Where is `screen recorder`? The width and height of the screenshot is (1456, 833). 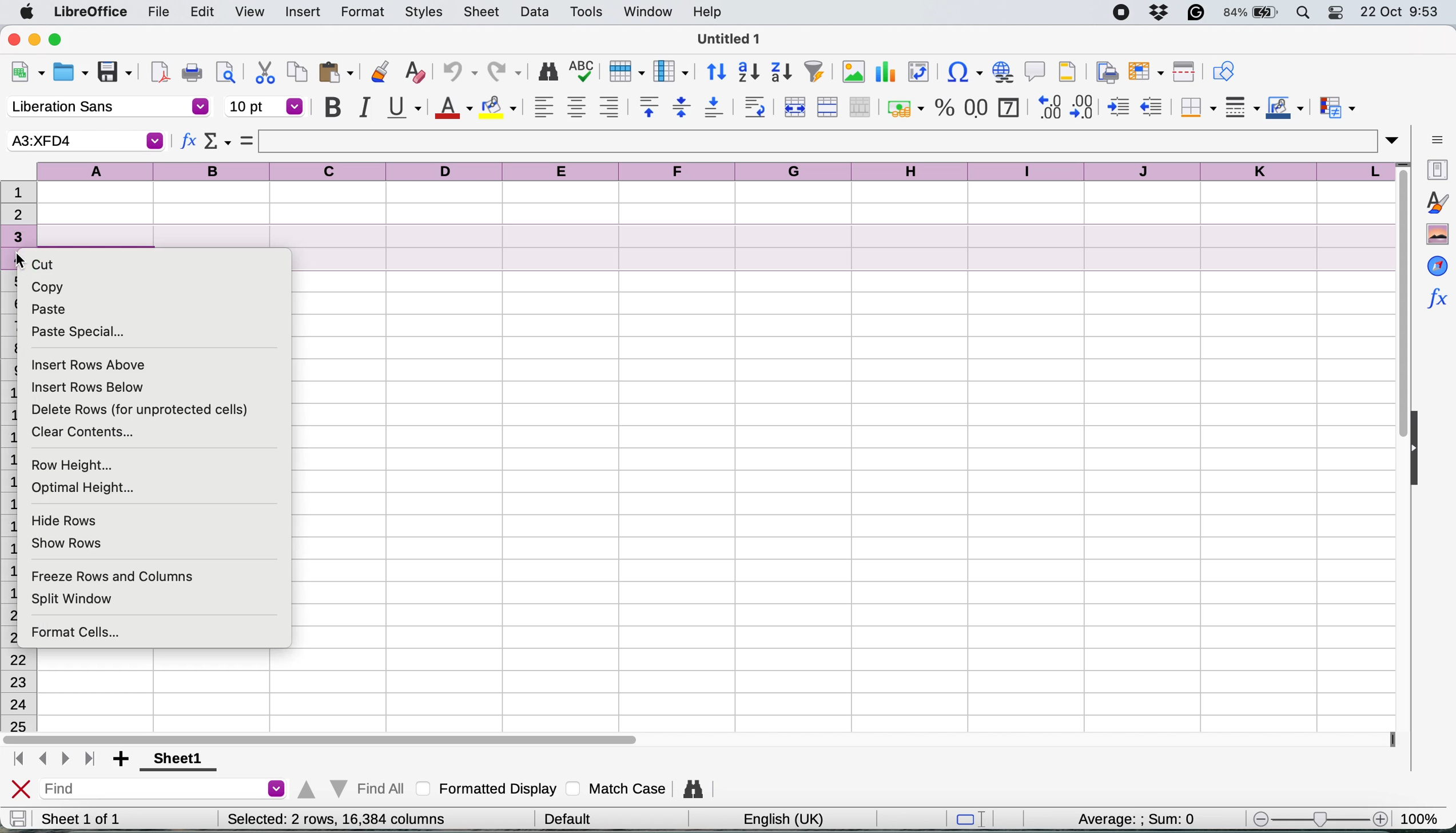
screen recorder is located at coordinates (1126, 14).